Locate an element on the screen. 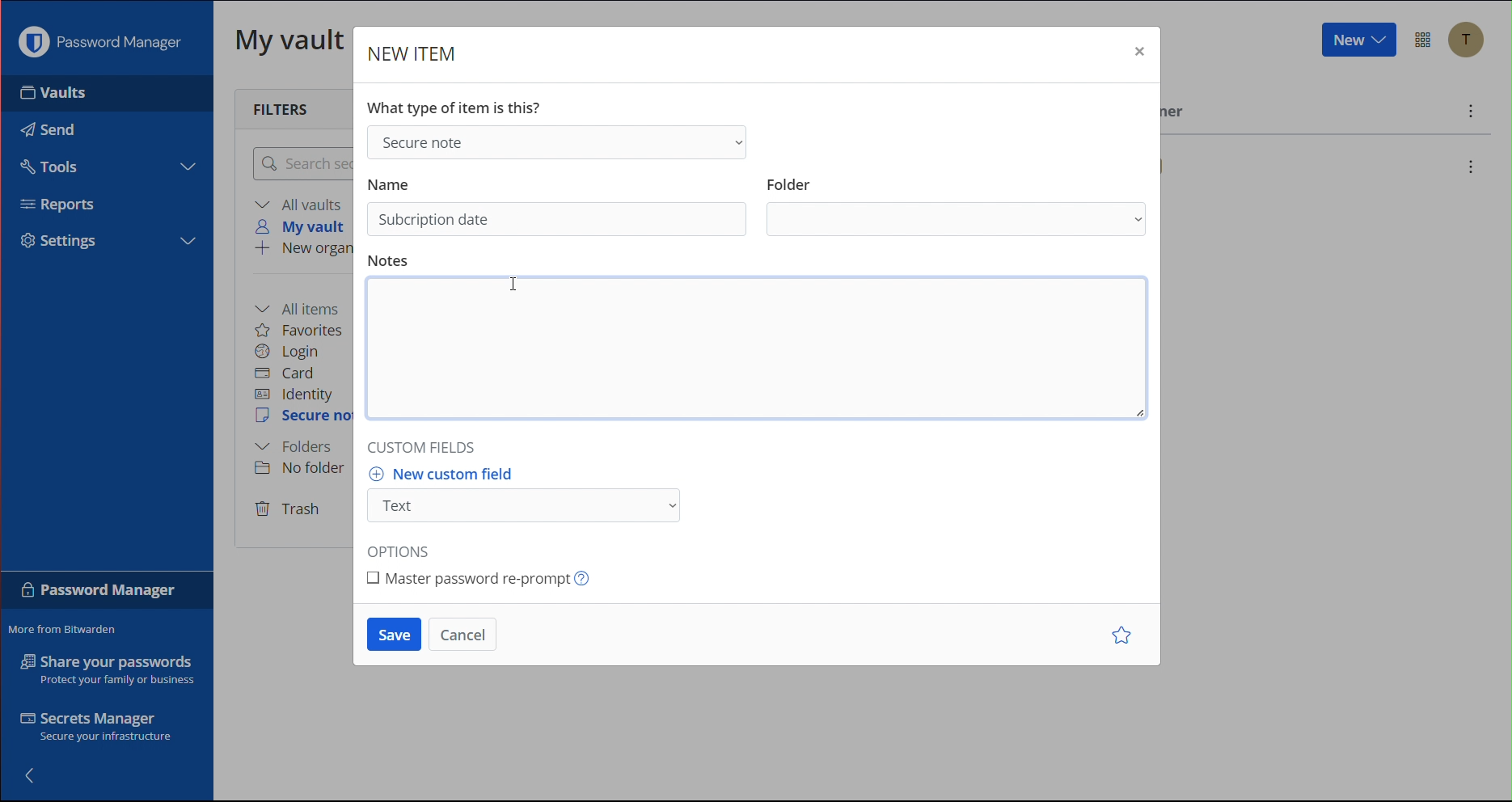  Share your passwords is located at coordinates (108, 669).